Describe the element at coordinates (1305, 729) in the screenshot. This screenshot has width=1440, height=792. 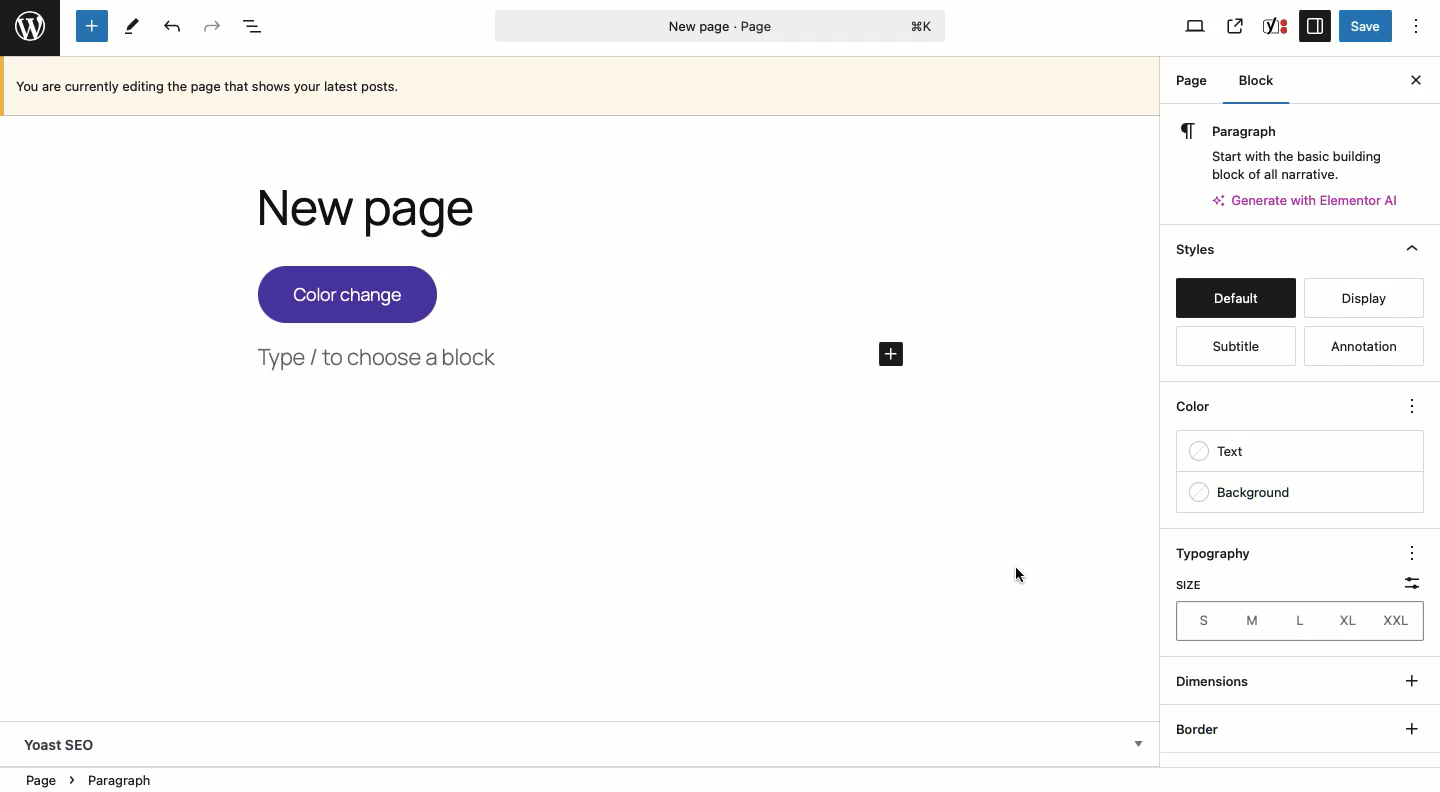
I see `Scale` at that location.